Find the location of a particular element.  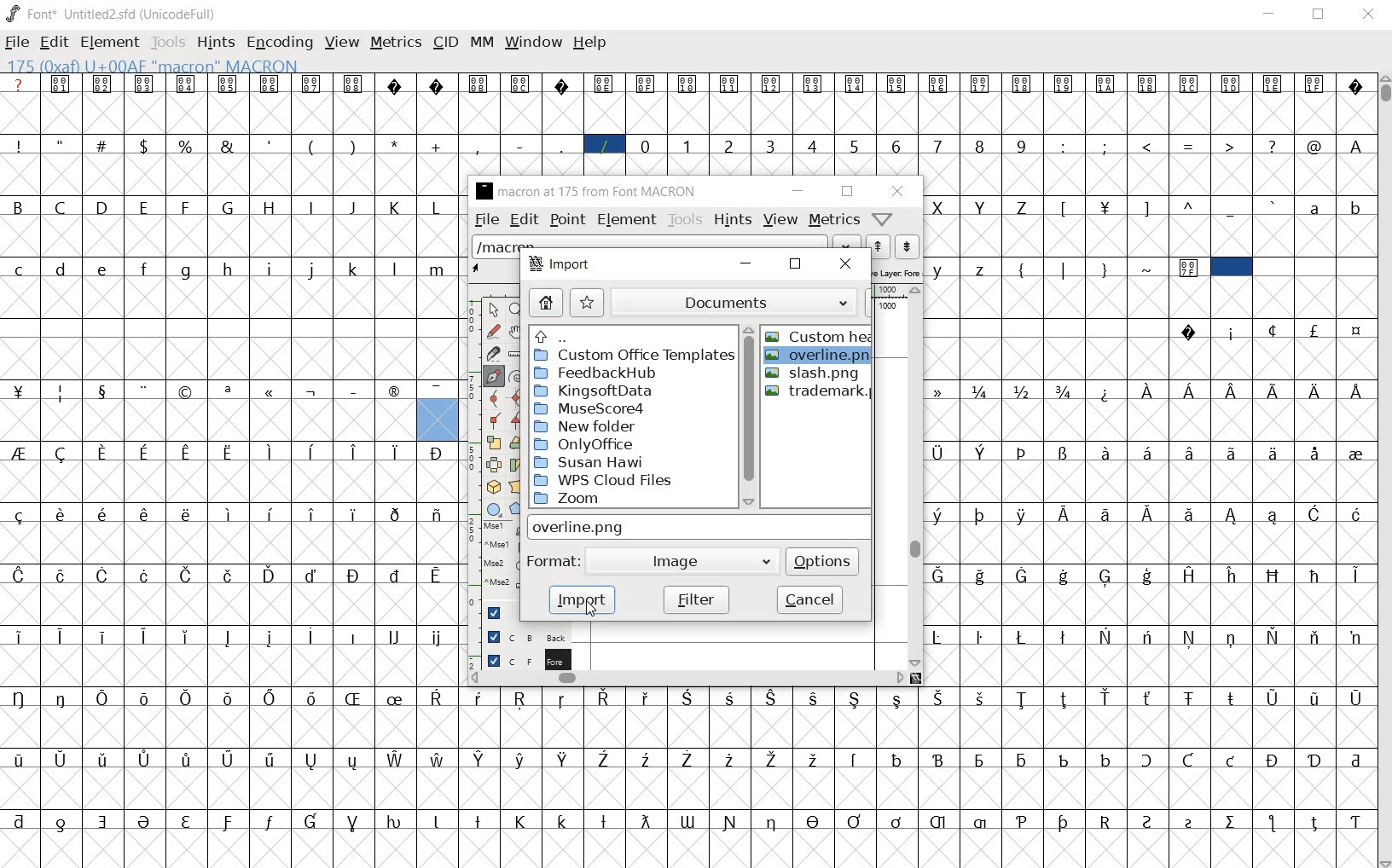

3D rotate is located at coordinates (494, 485).